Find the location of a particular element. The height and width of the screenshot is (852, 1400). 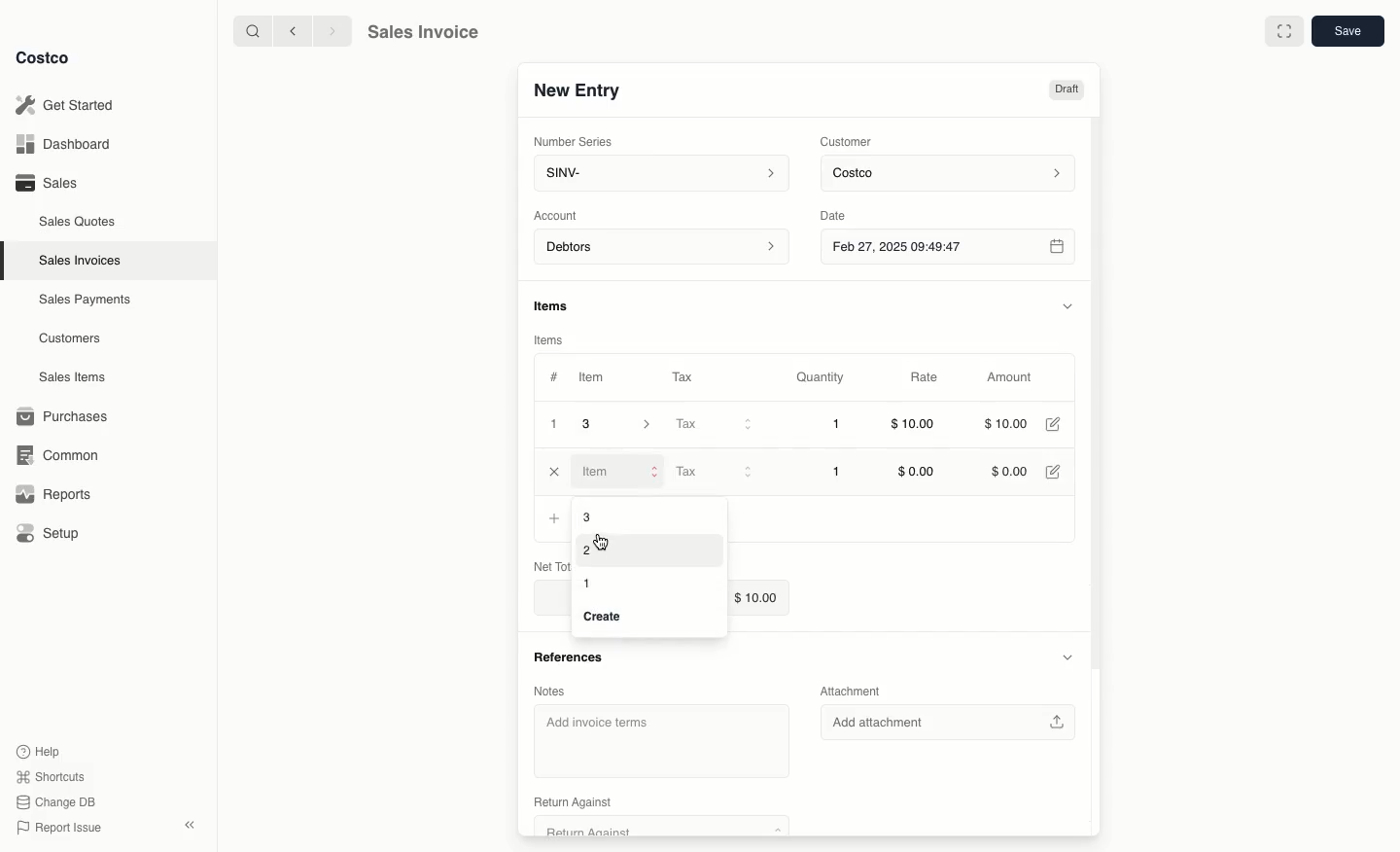

Tax is located at coordinates (687, 376).